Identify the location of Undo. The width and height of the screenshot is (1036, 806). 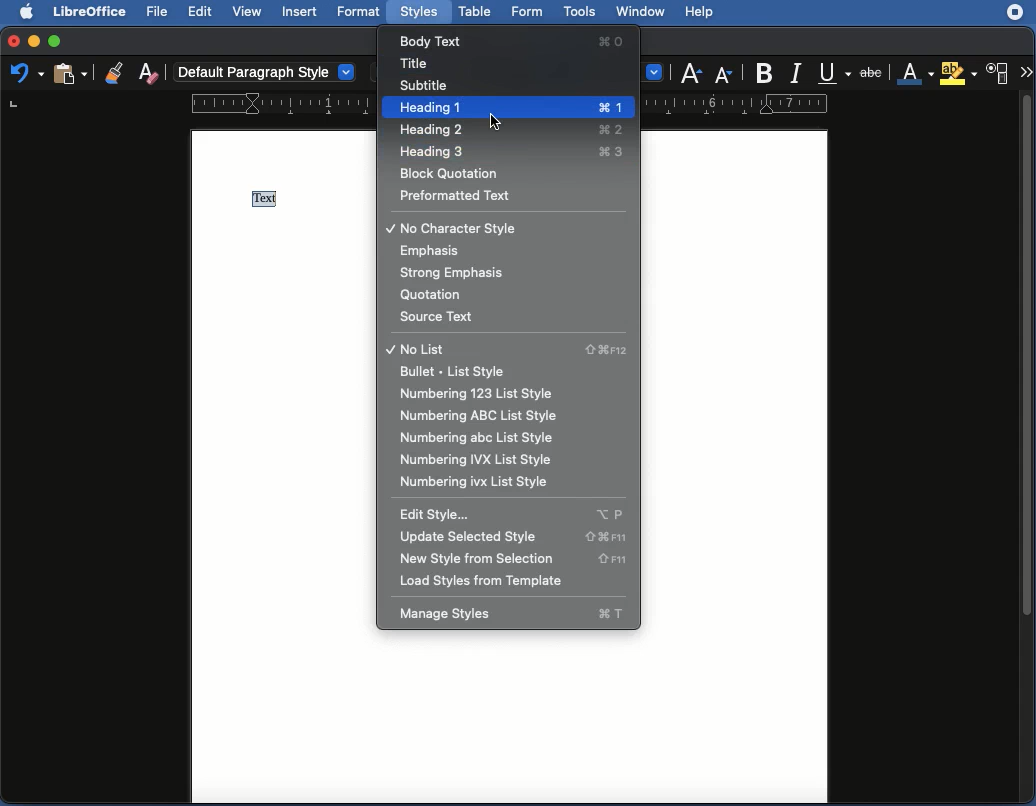
(26, 74).